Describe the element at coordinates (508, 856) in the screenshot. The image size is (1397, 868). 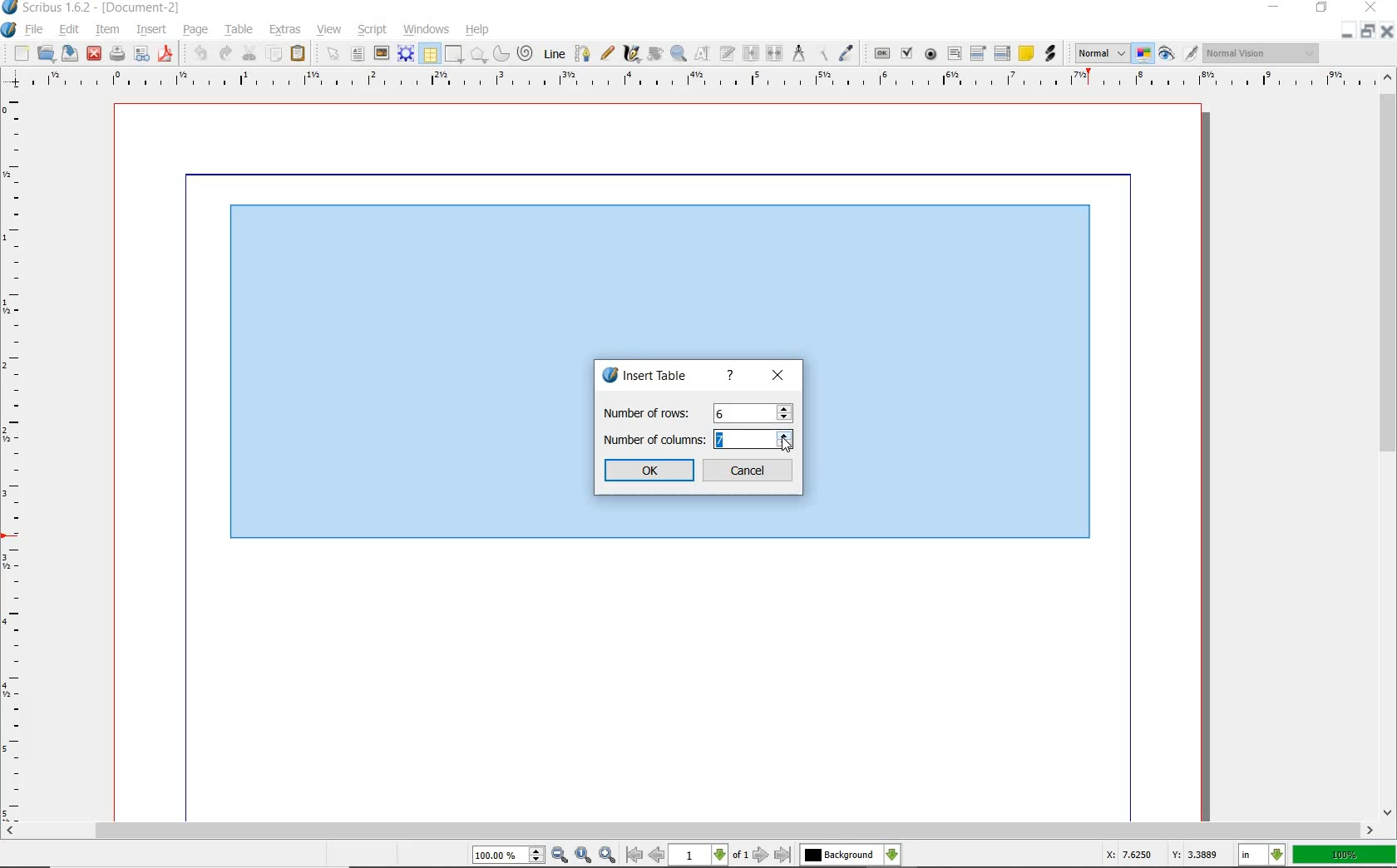
I see `select current zoom level` at that location.